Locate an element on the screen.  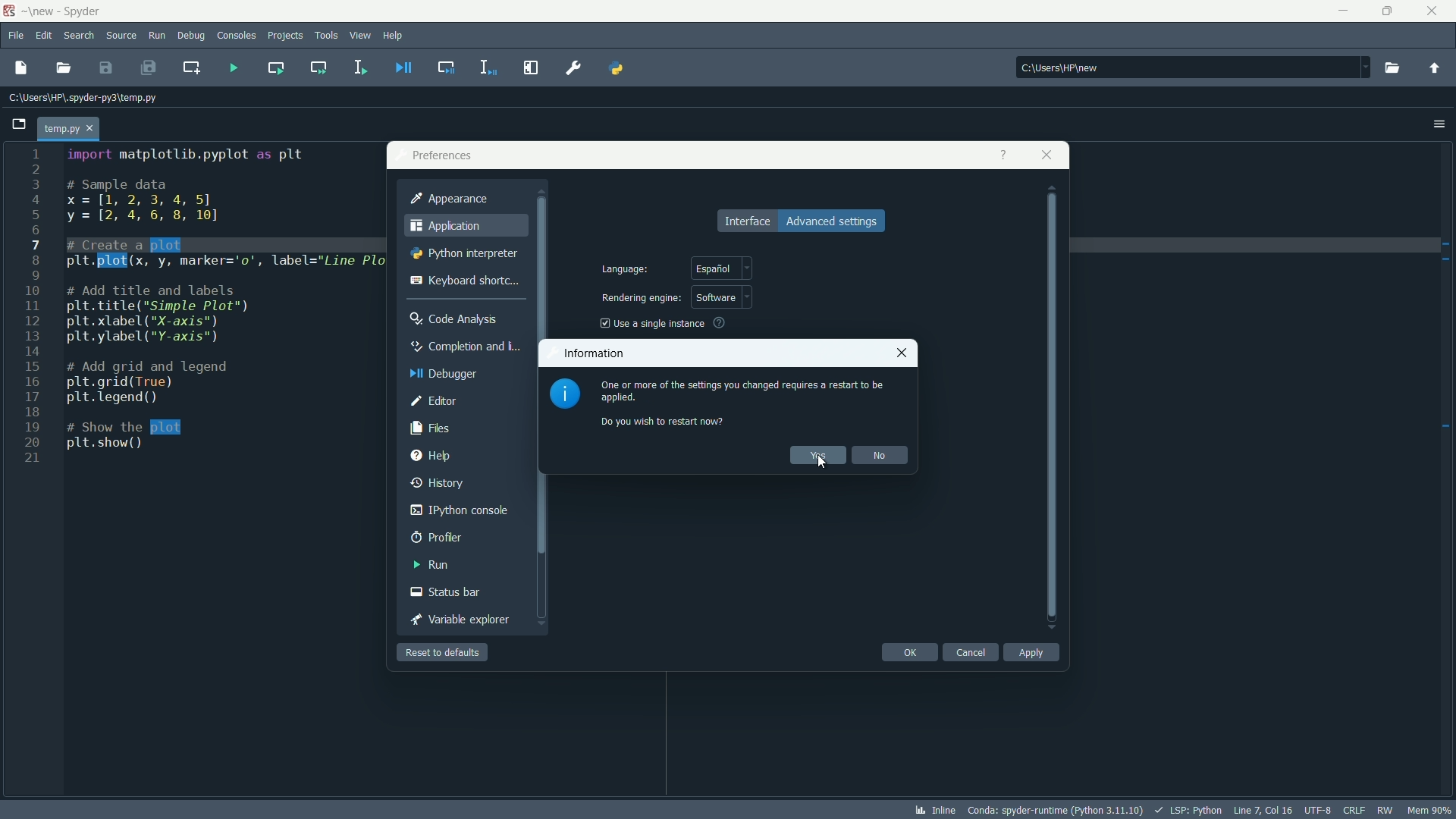
run selection is located at coordinates (358, 67).